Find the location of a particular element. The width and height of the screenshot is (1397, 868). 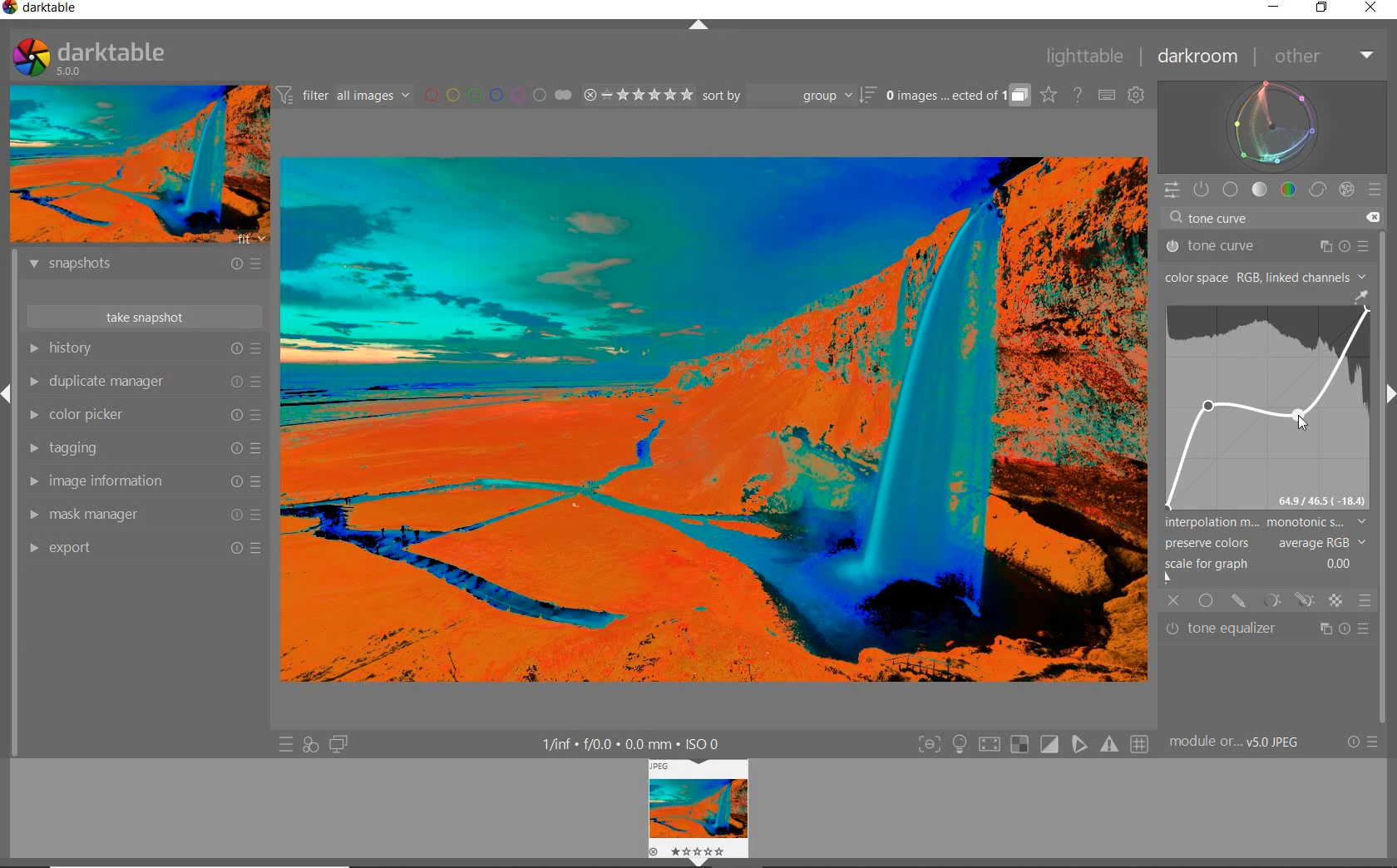

SHOW GLOBAL PREFERENCES is located at coordinates (1136, 95).